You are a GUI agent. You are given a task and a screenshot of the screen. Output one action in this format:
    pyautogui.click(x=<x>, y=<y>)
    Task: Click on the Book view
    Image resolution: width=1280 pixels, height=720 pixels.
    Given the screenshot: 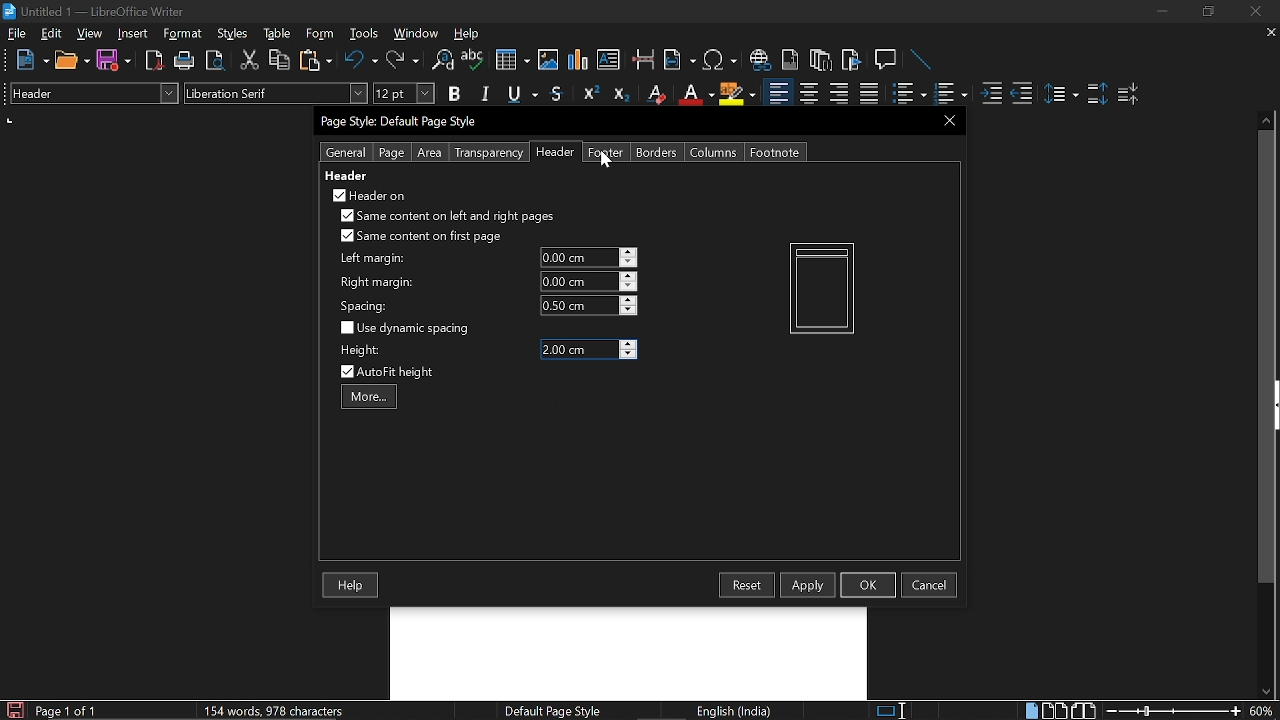 What is the action you would take?
    pyautogui.click(x=1086, y=710)
    